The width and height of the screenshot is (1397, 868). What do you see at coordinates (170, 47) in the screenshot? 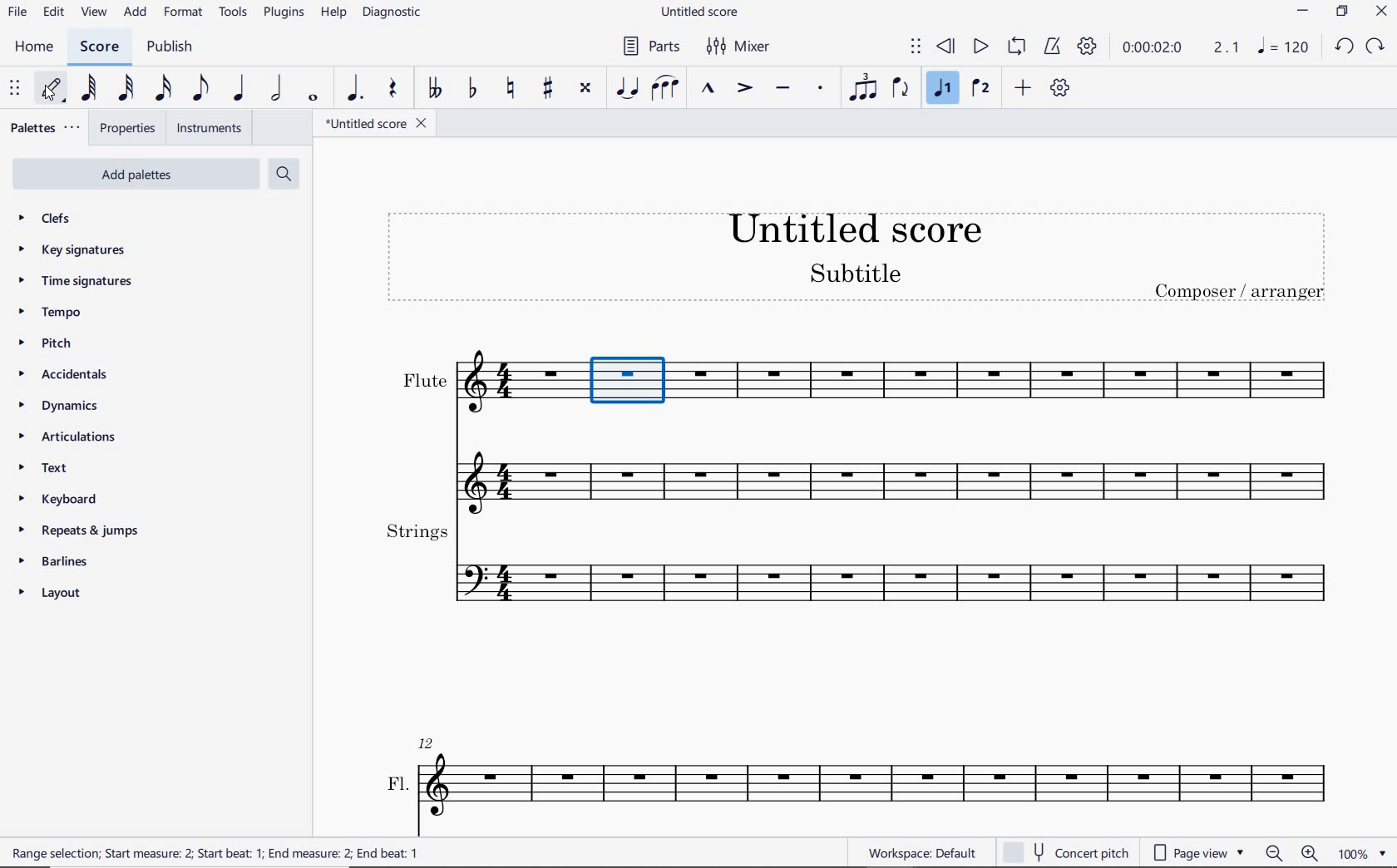
I see `PUBLISH` at bounding box center [170, 47].